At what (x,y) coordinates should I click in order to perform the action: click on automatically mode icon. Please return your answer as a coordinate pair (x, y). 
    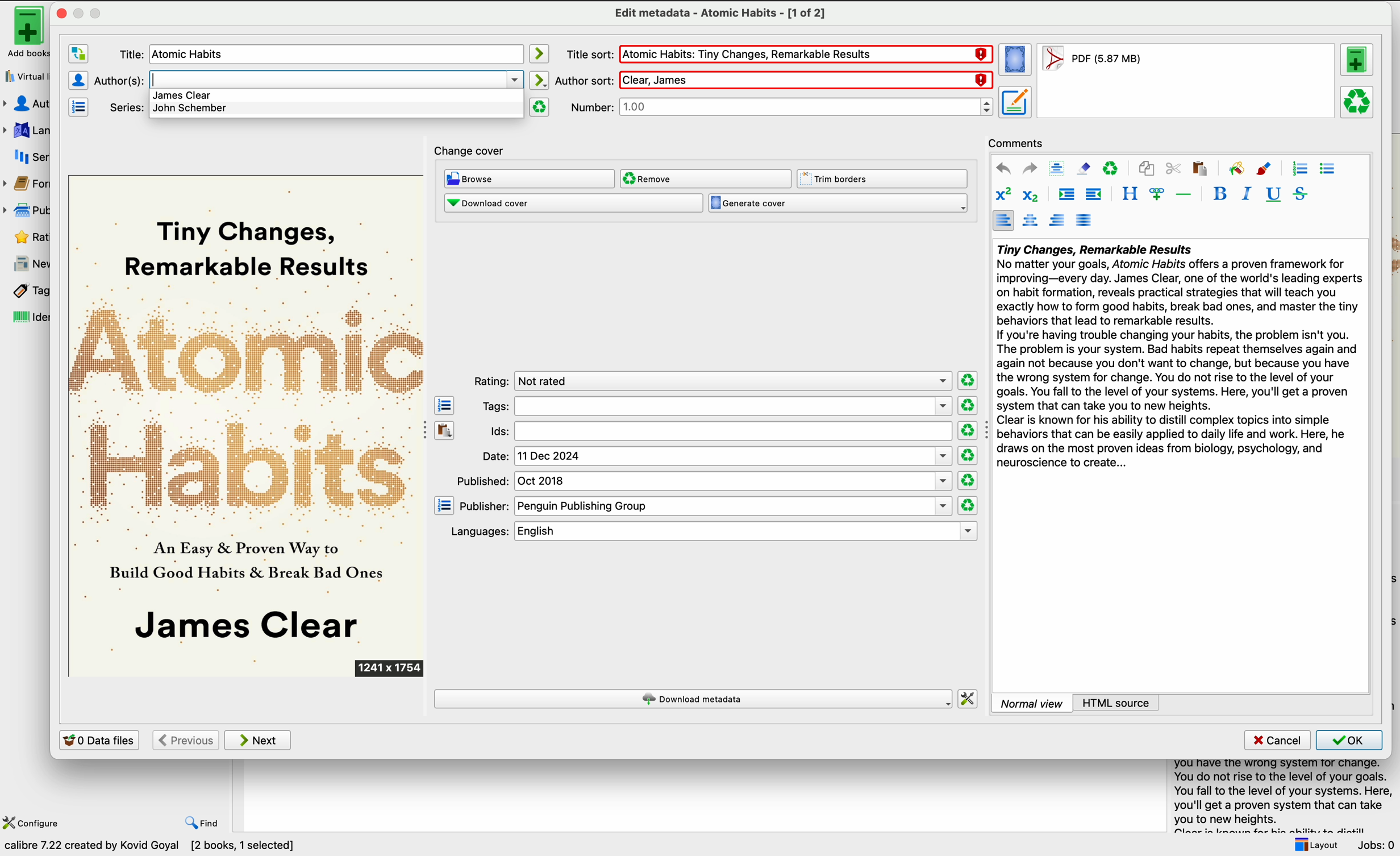
    Looking at the image, I should click on (541, 80).